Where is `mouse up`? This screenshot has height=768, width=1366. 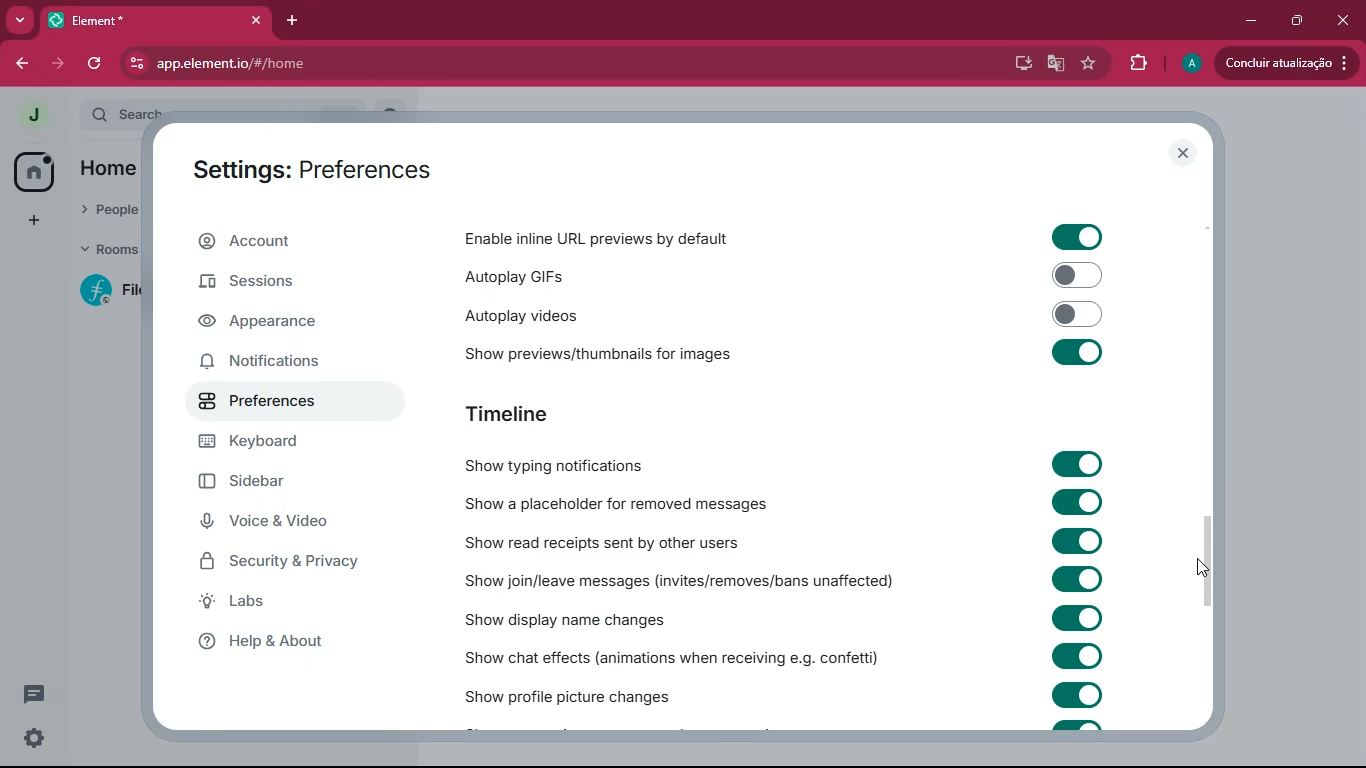 mouse up is located at coordinates (1205, 568).